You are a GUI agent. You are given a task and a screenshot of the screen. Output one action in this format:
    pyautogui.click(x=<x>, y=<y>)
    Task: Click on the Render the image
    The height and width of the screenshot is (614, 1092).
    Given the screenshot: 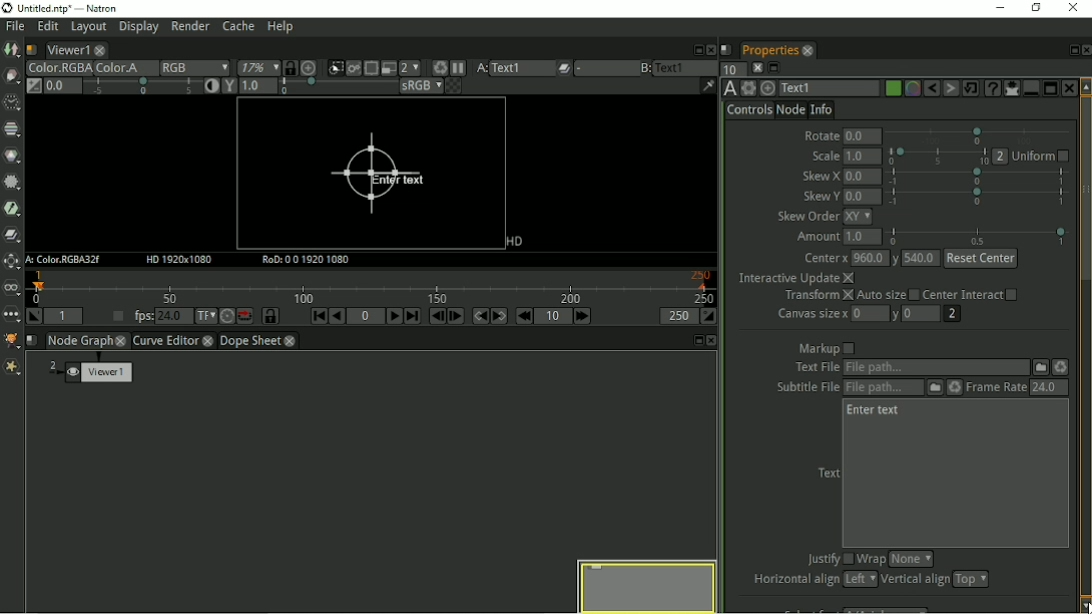 What is the action you would take?
    pyautogui.click(x=356, y=66)
    